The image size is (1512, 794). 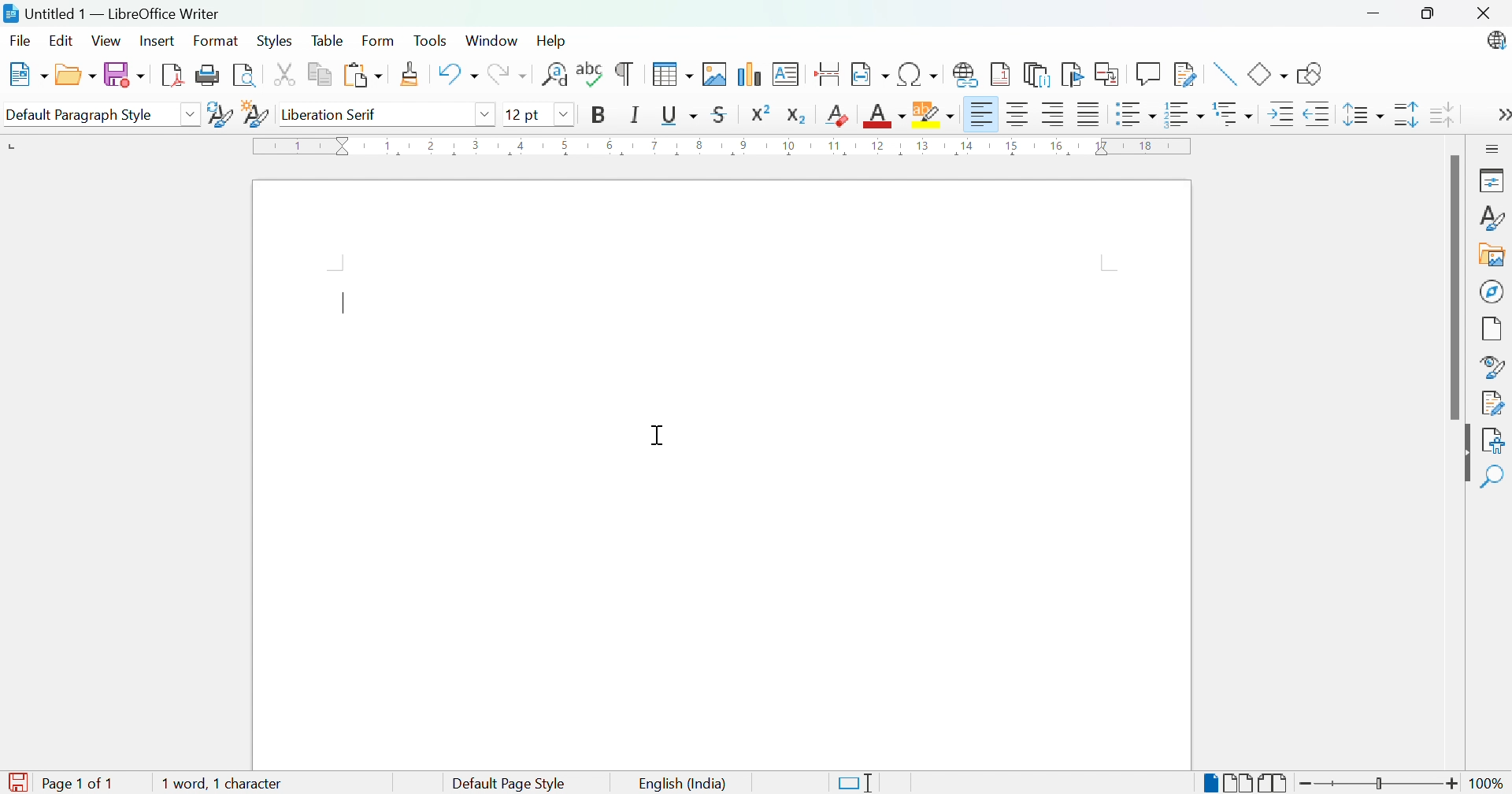 I want to click on Zoom in, so click(x=1453, y=784).